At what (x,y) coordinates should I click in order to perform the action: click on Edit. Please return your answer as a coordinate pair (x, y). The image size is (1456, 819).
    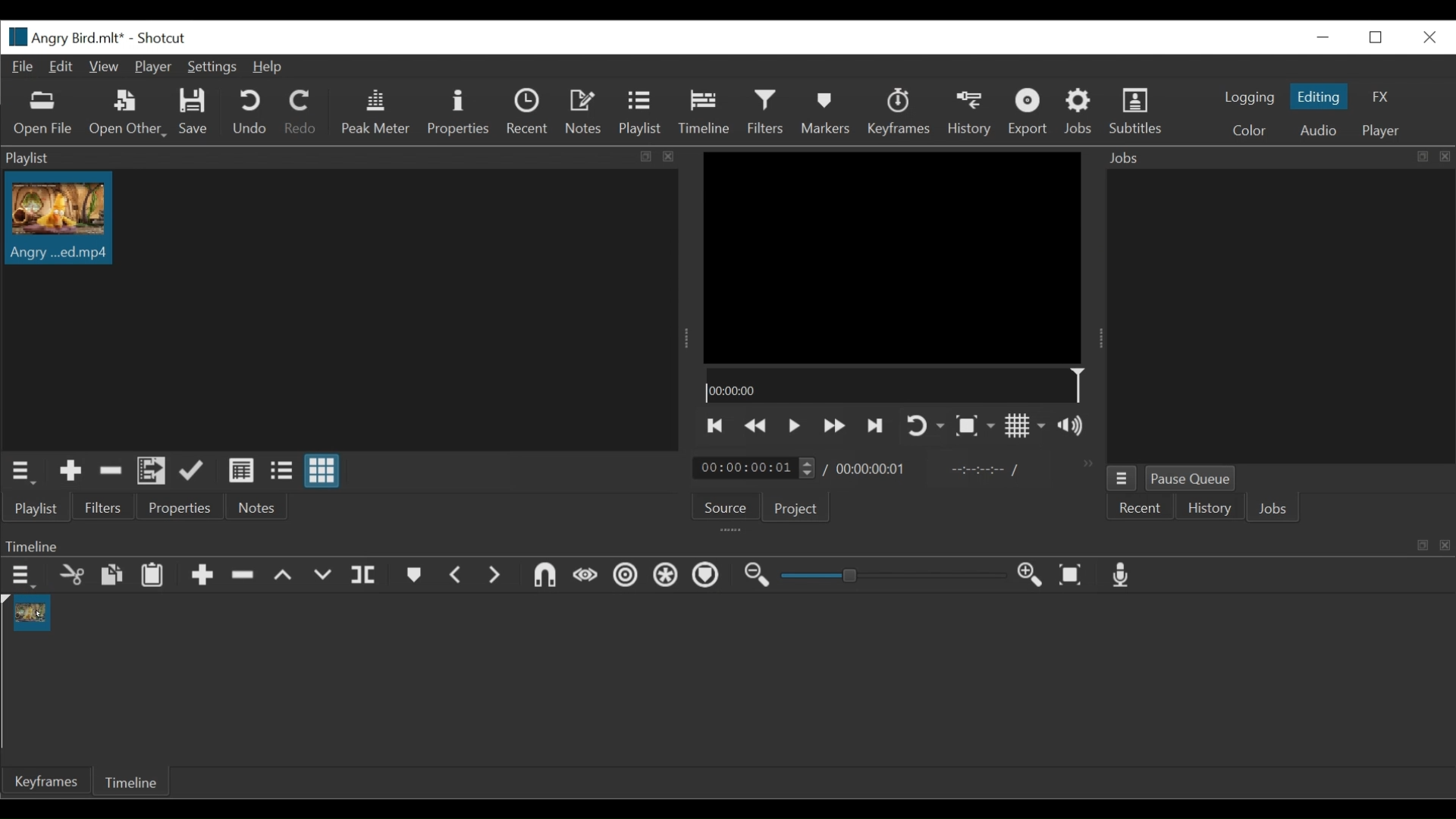
    Looking at the image, I should click on (63, 67).